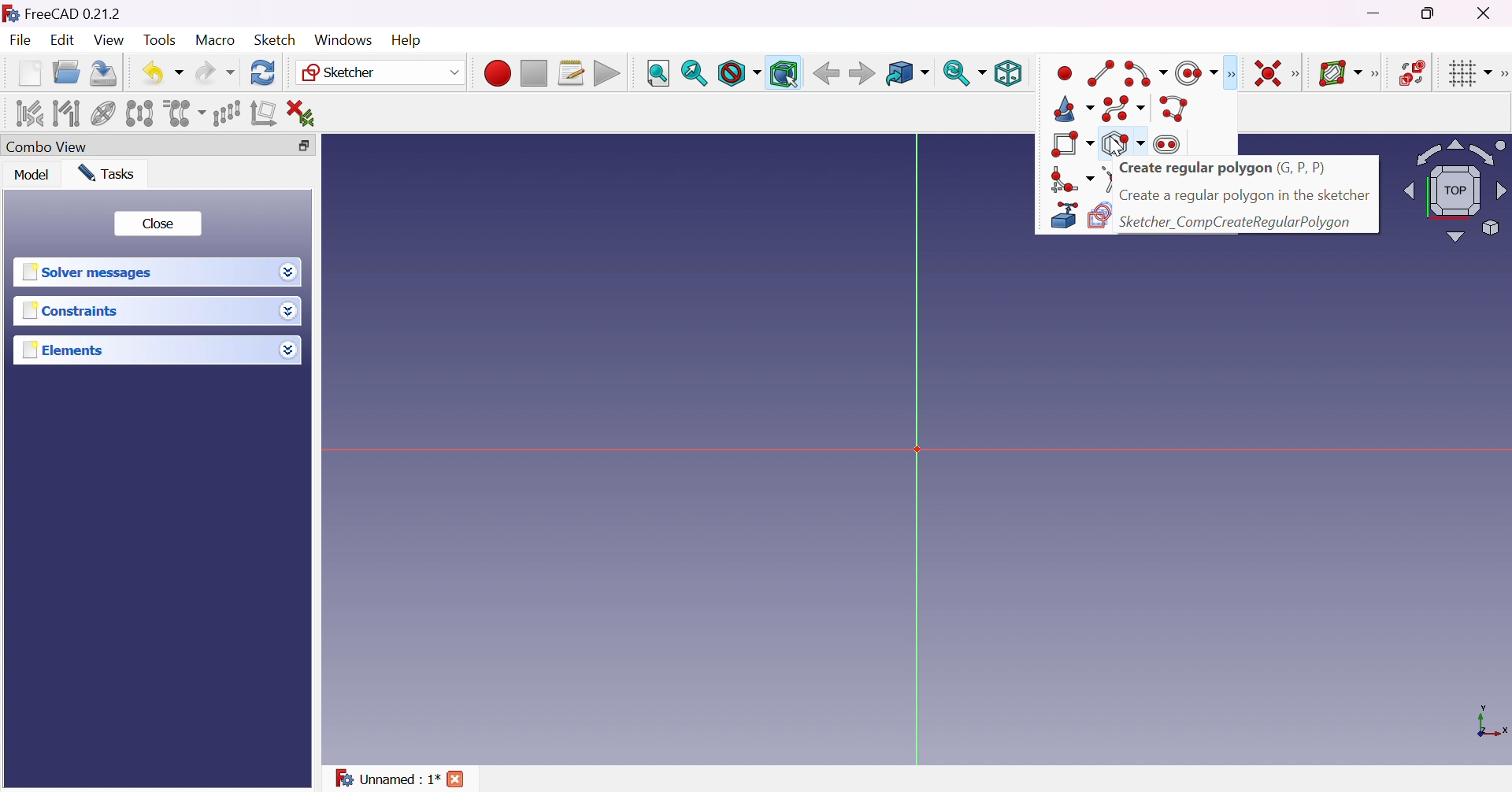  I want to click on New, so click(31, 76).